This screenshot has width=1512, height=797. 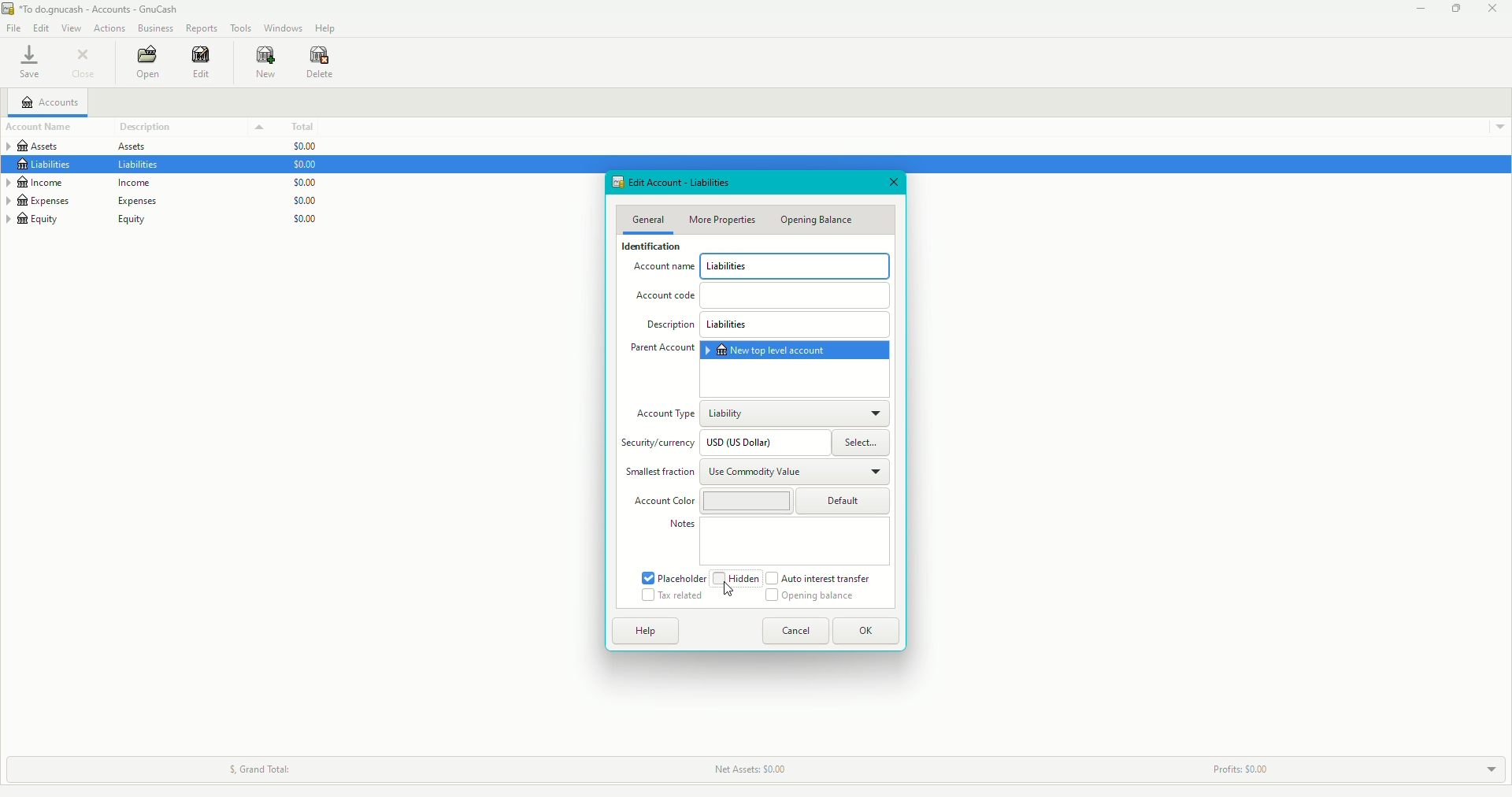 What do you see at coordinates (326, 28) in the screenshot?
I see `Help` at bounding box center [326, 28].